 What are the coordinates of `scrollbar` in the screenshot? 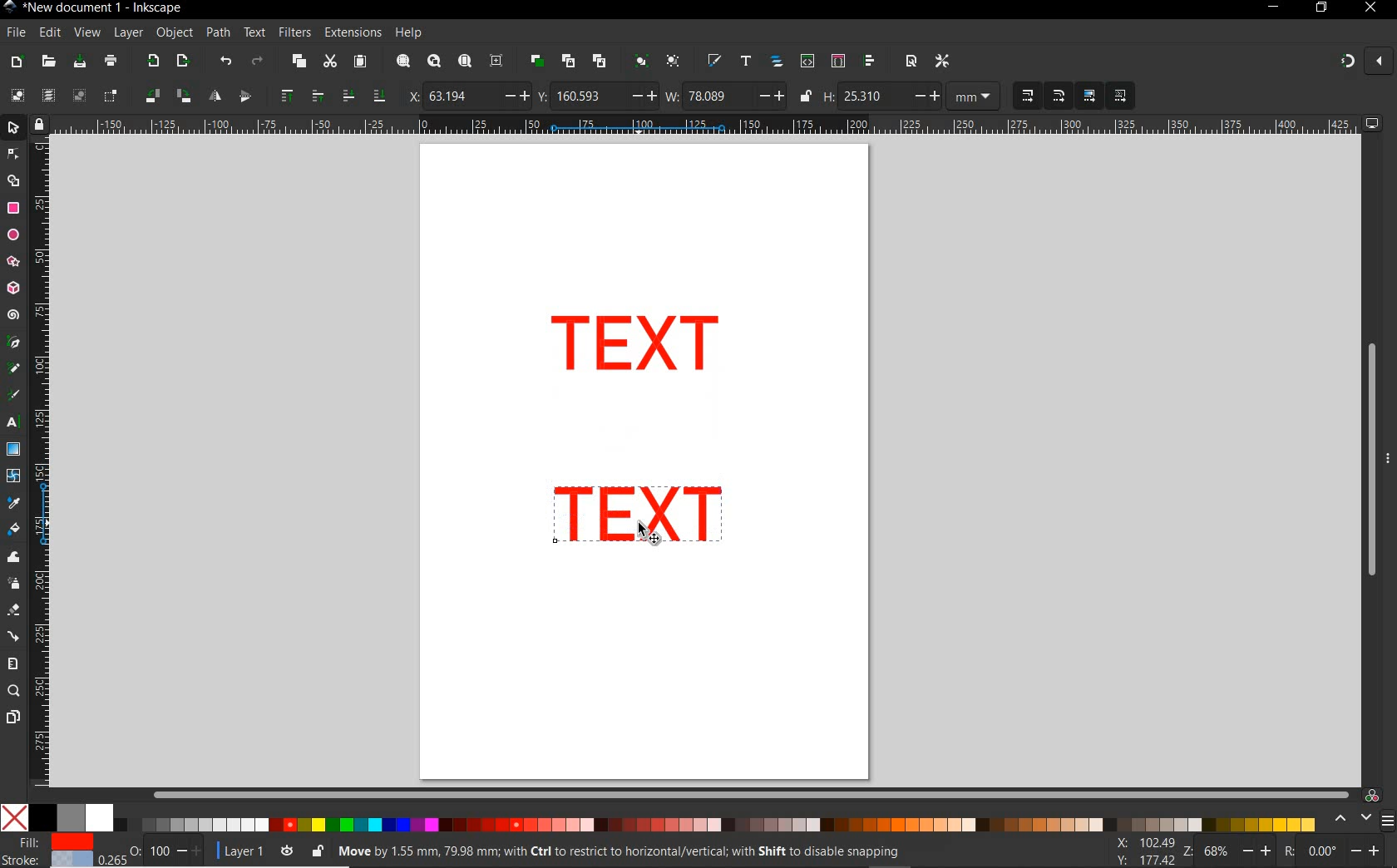 It's located at (751, 794).